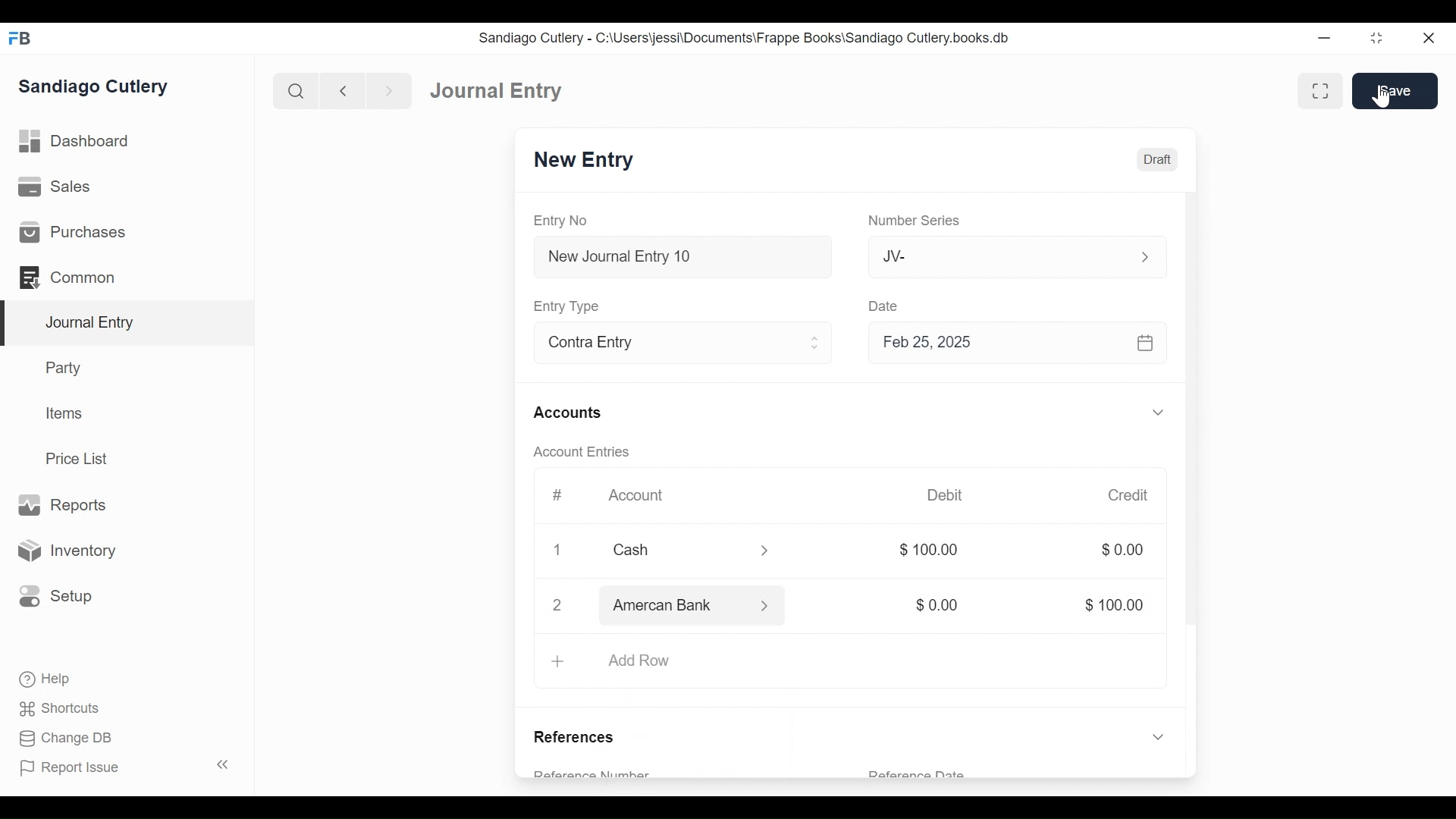 The image size is (1456, 819). What do you see at coordinates (499, 92) in the screenshot?
I see `Journal Entry` at bounding box center [499, 92].